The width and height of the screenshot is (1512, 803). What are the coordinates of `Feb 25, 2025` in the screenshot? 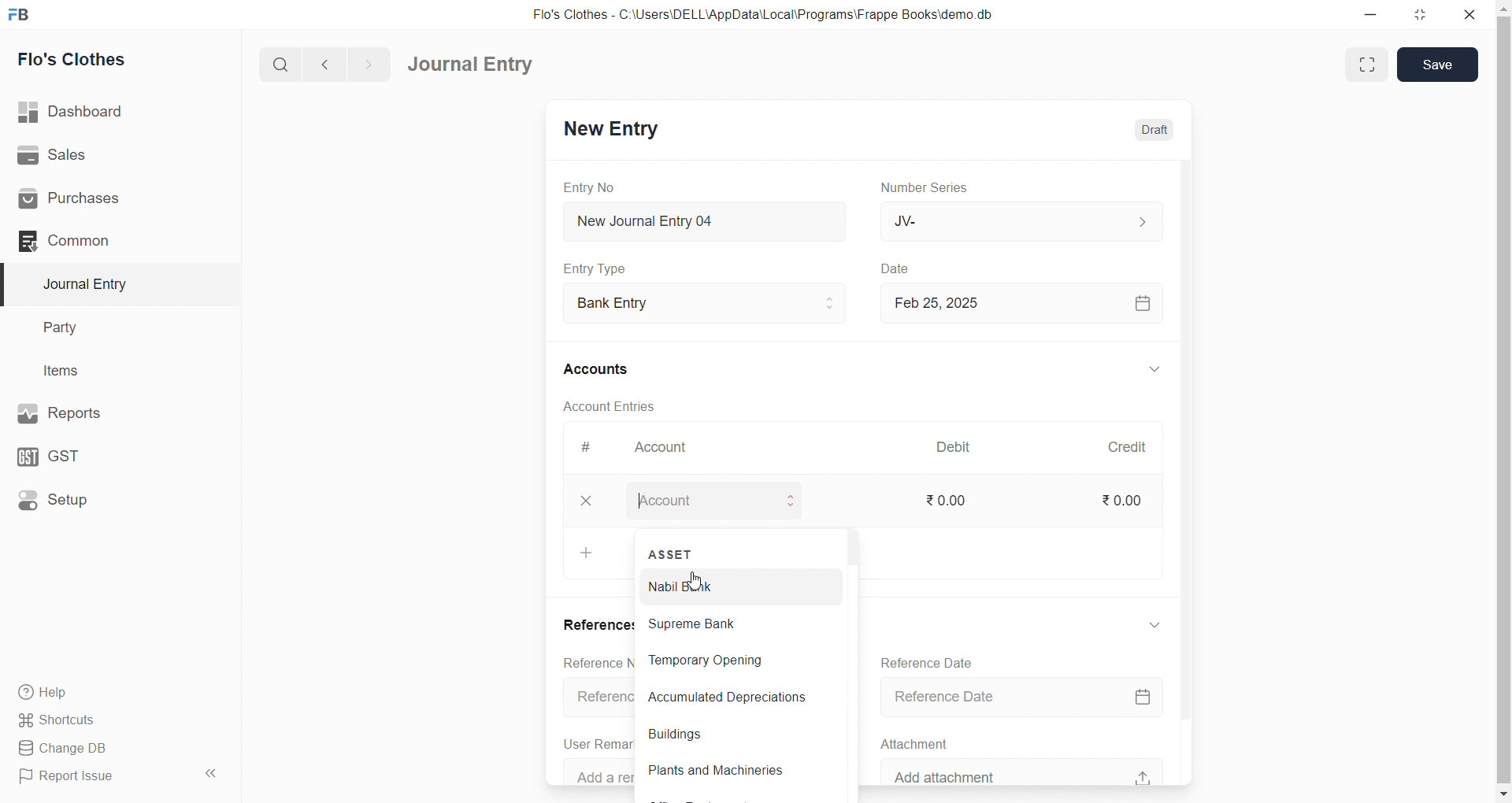 It's located at (1027, 302).